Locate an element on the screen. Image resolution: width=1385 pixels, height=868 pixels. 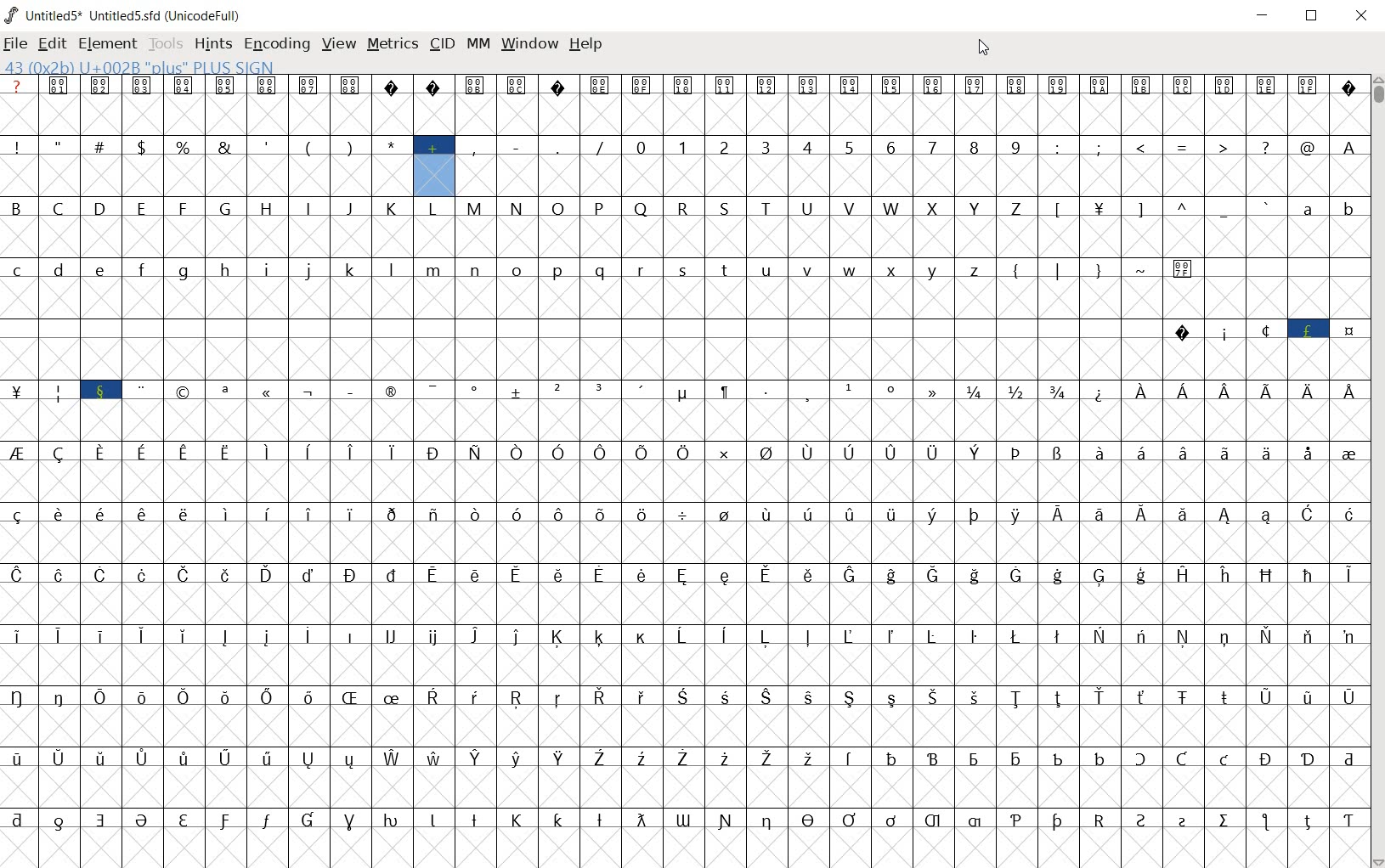
element is located at coordinates (105, 42).